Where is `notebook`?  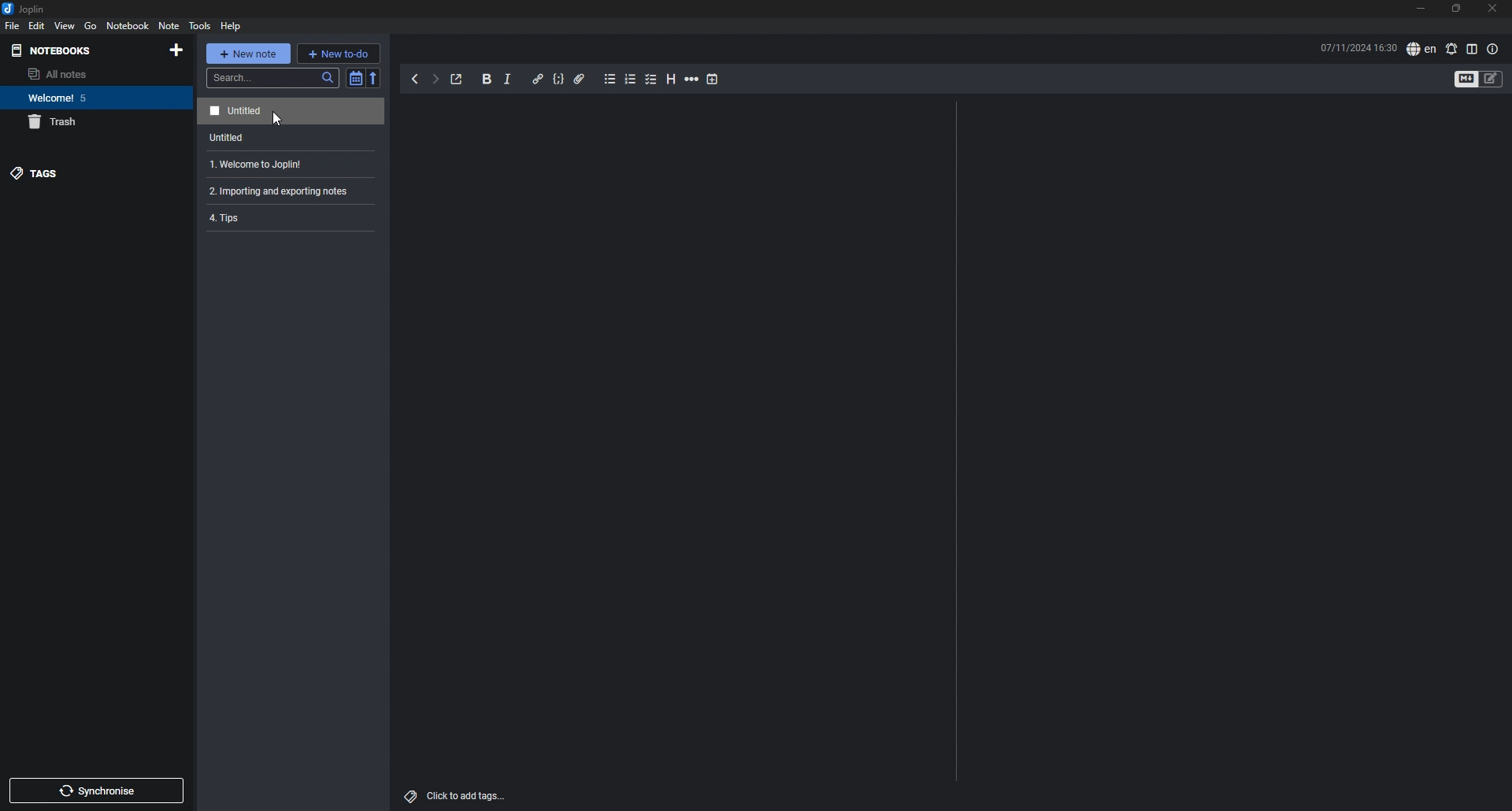 notebook is located at coordinates (128, 26).